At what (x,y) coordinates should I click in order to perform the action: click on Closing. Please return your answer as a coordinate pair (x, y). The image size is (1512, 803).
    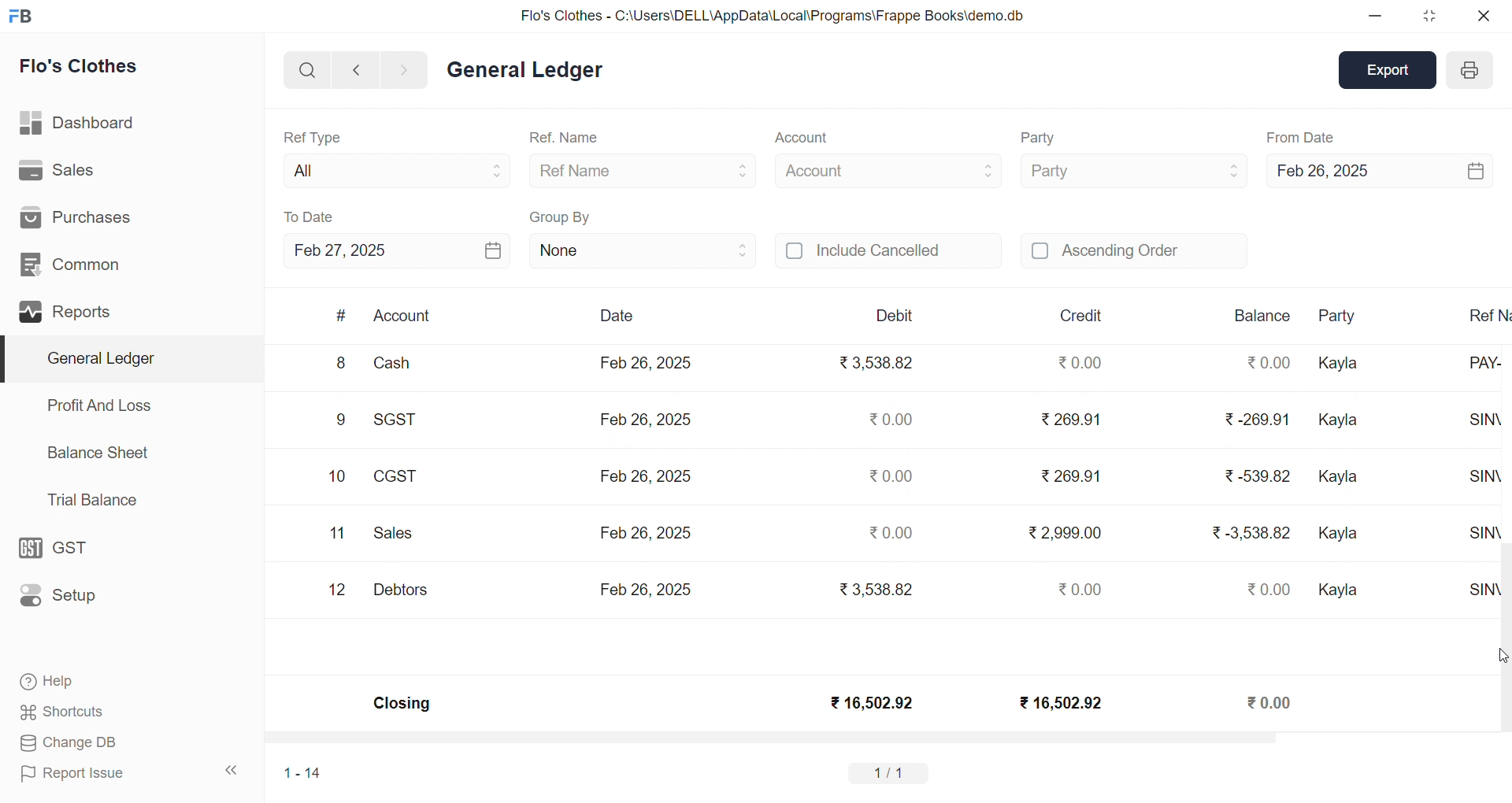
    Looking at the image, I should click on (403, 705).